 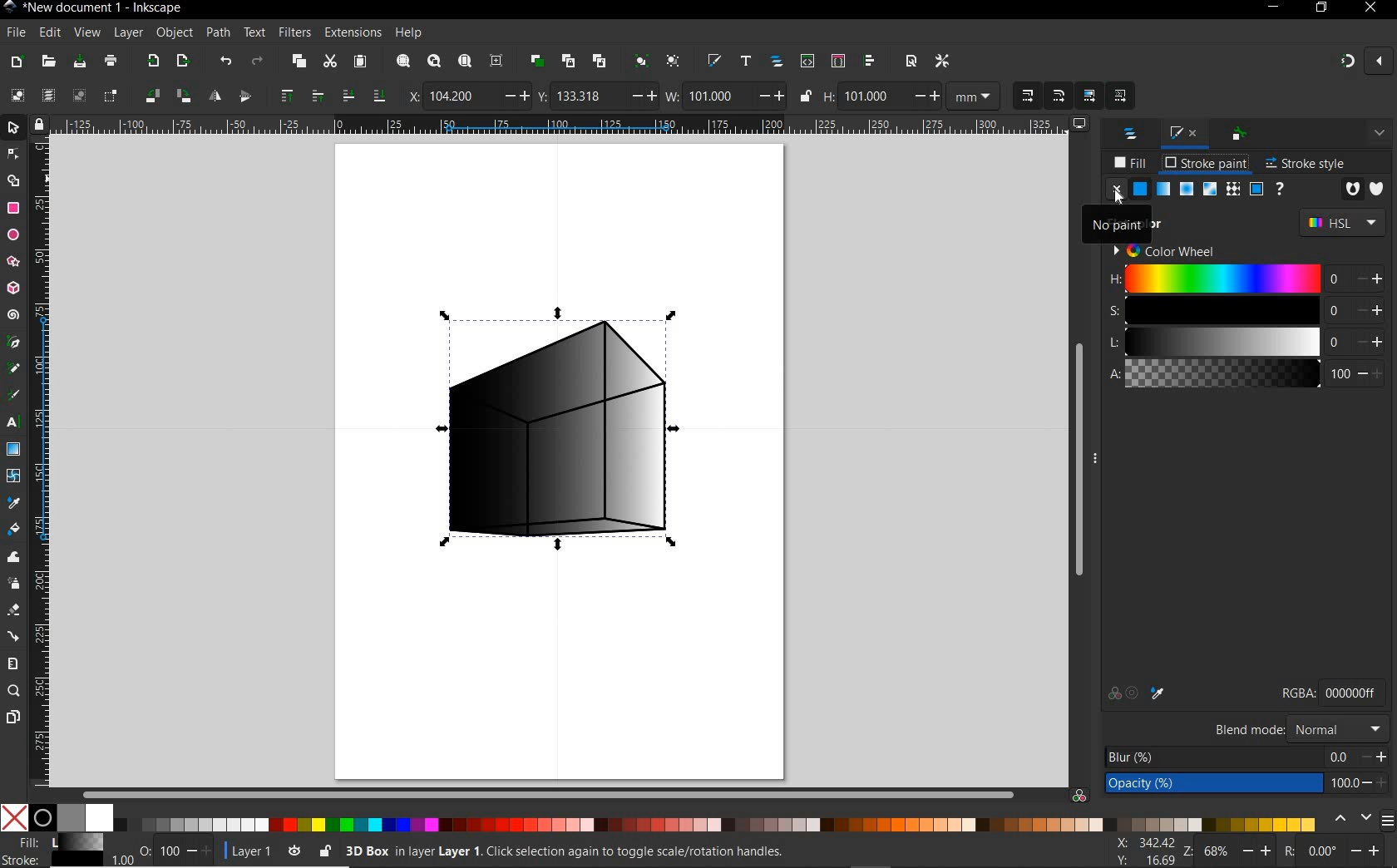 I want to click on BLUR & OPACITY, so click(x=1214, y=771).